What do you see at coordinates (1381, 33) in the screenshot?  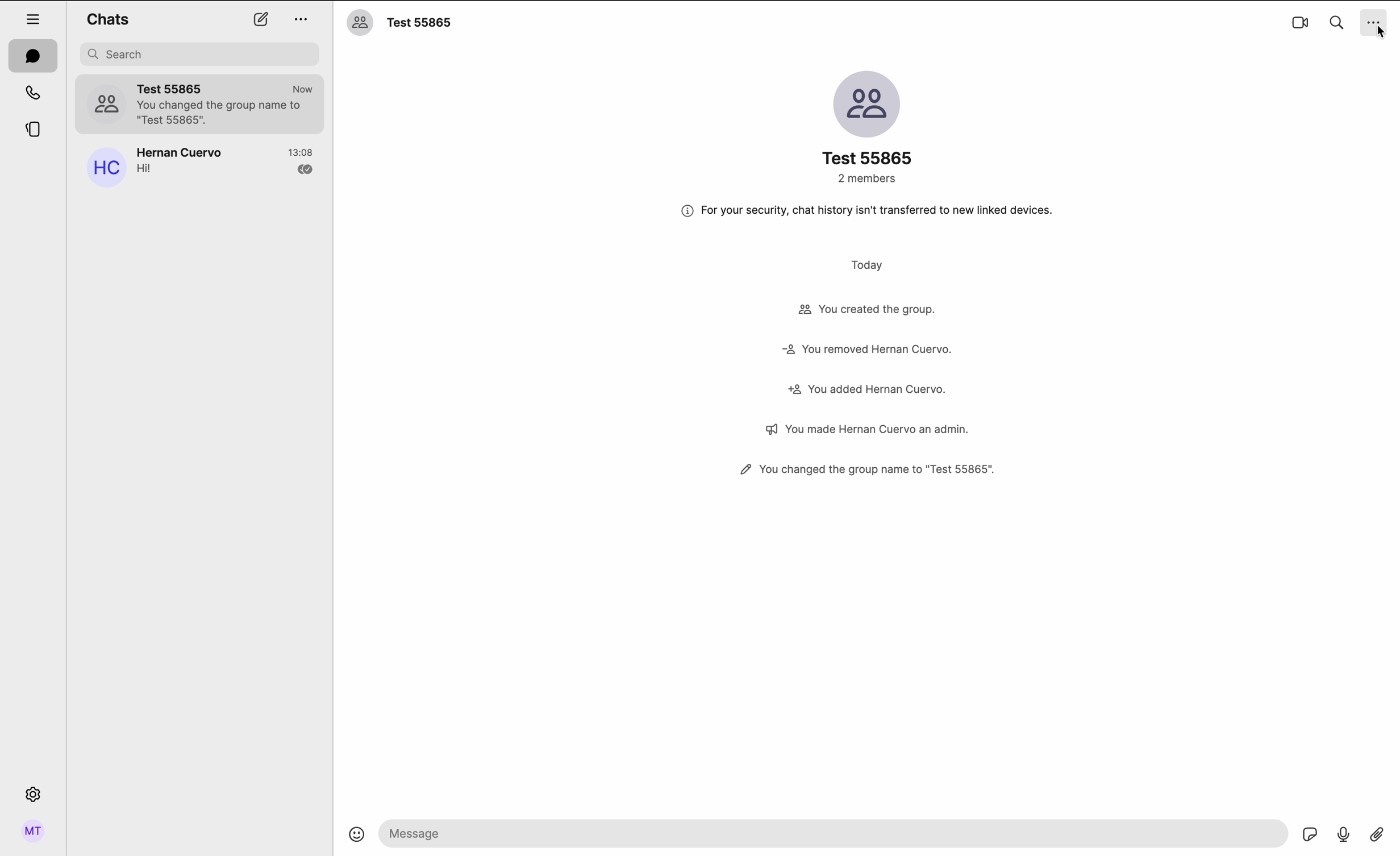 I see `cursor` at bounding box center [1381, 33].